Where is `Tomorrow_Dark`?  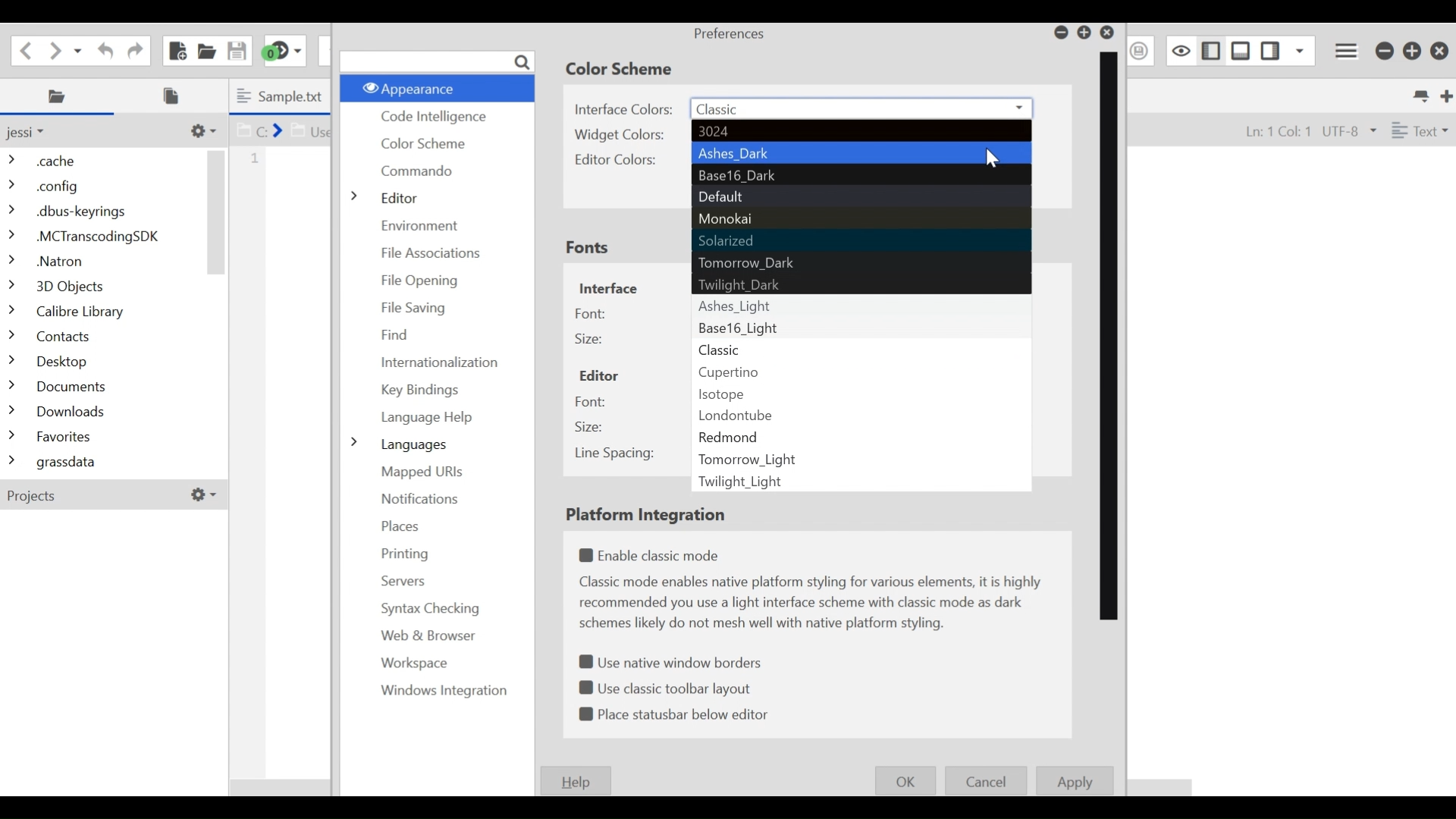
Tomorrow_Dark is located at coordinates (861, 265).